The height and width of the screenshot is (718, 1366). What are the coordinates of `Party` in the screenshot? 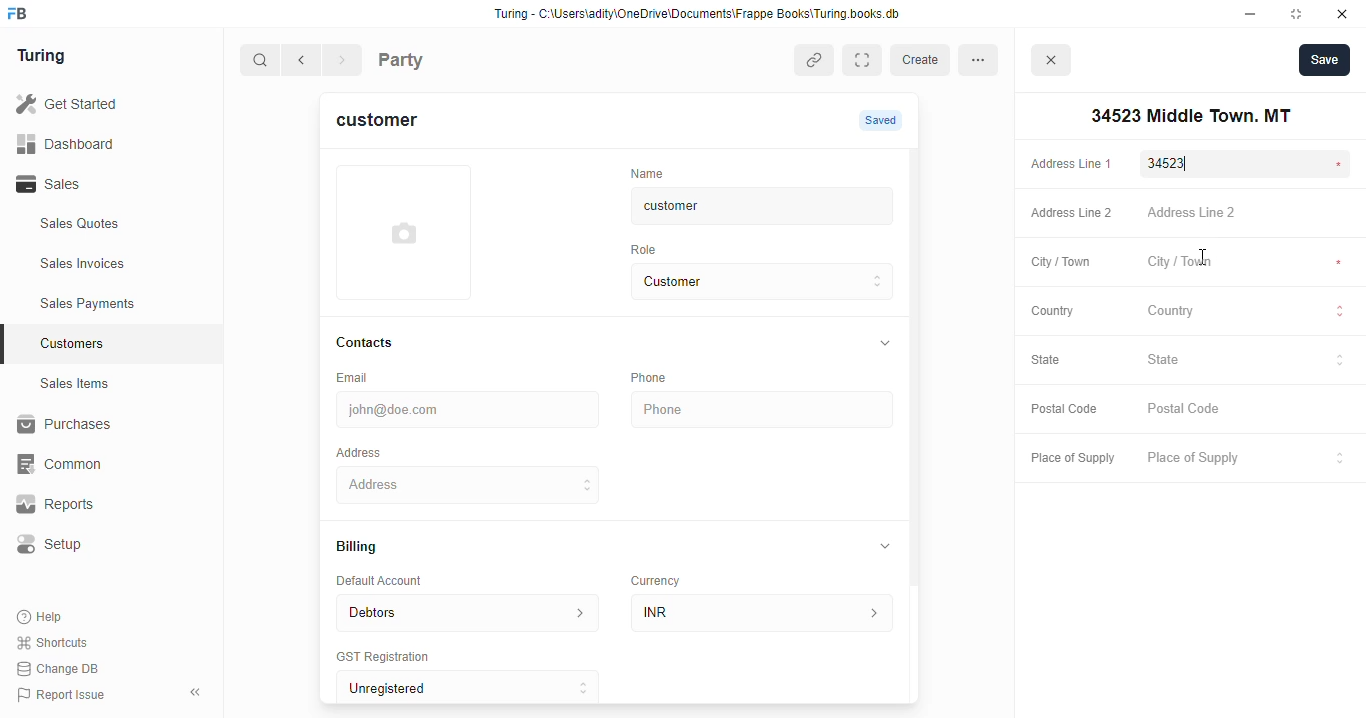 It's located at (442, 58).